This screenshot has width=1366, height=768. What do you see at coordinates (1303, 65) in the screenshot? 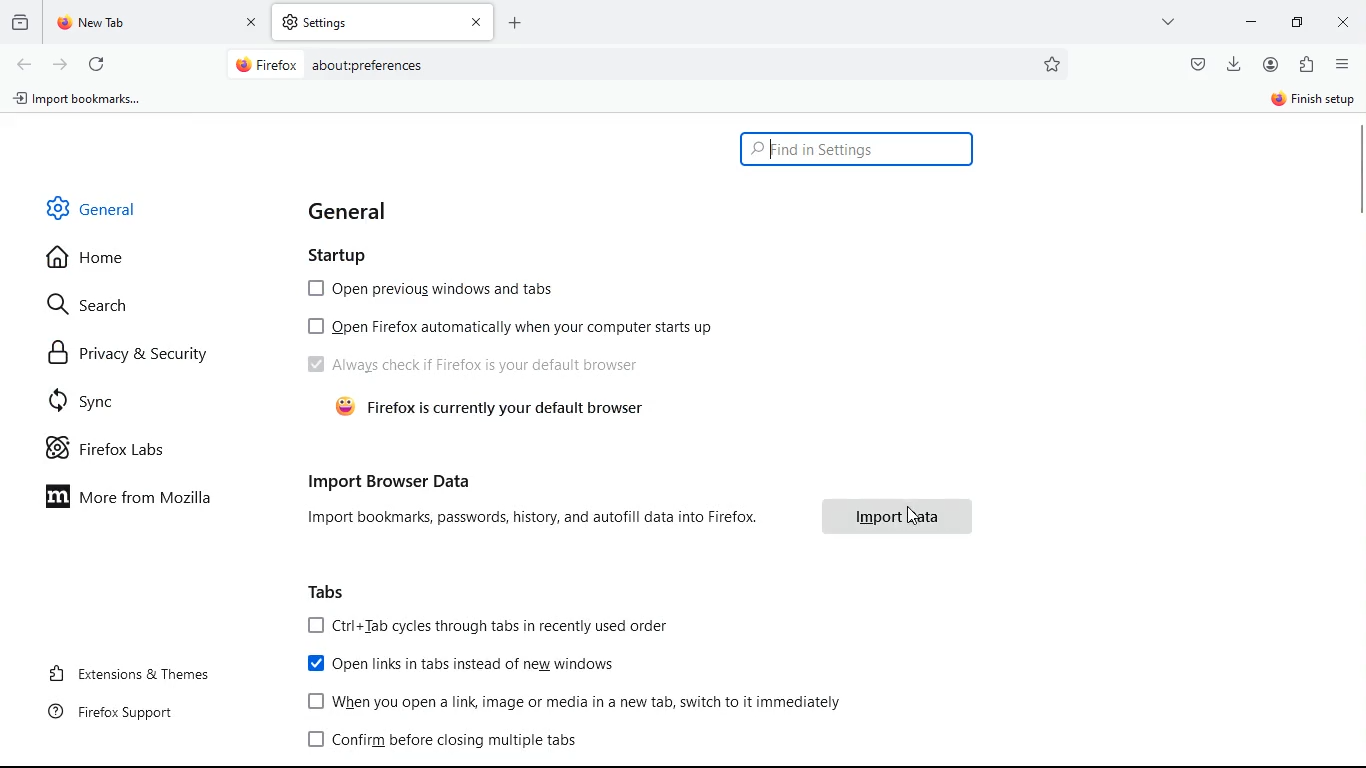
I see `extentions` at bounding box center [1303, 65].